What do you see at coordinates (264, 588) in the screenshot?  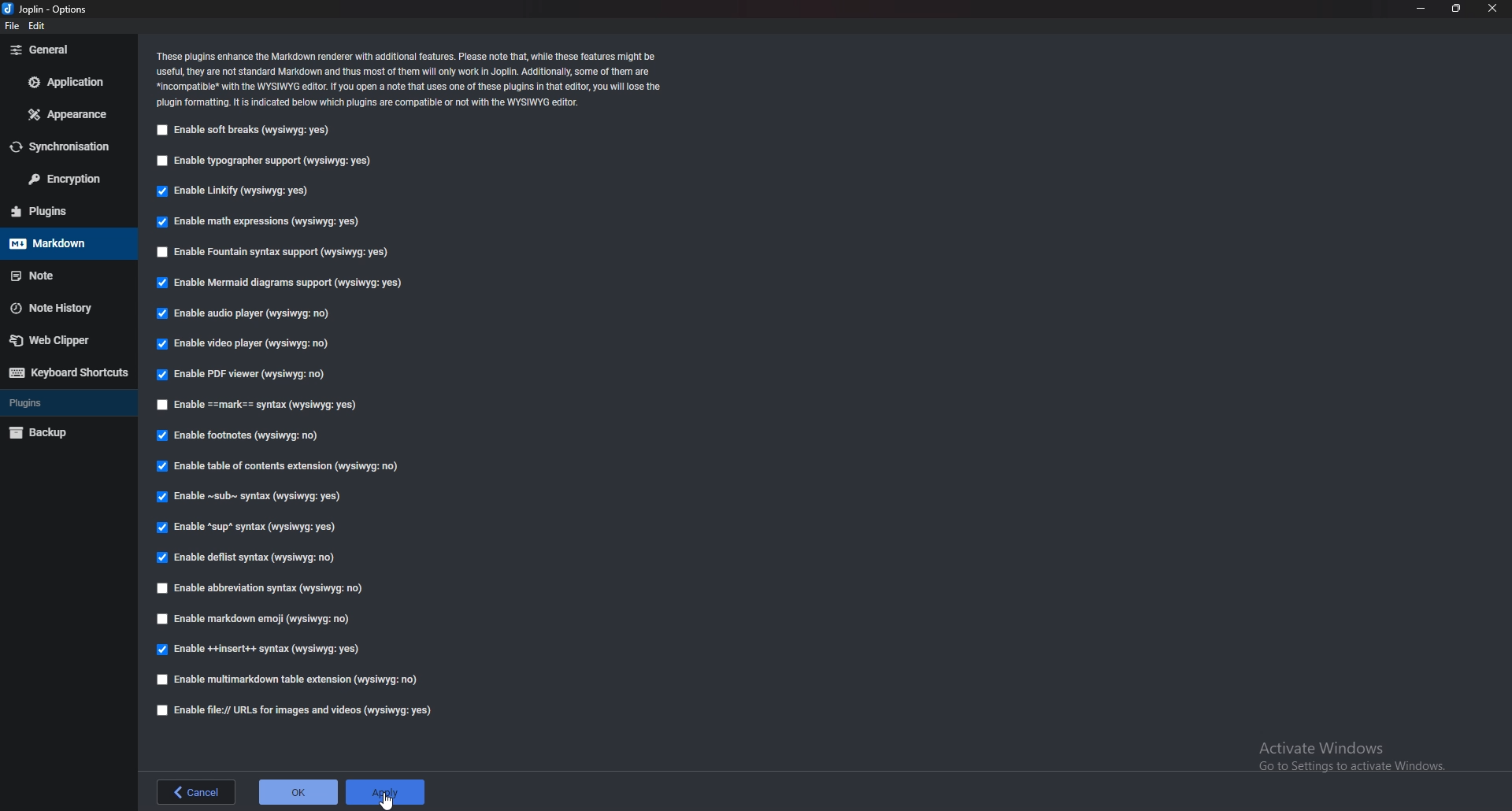 I see `enable Abbreviations Syntax` at bounding box center [264, 588].